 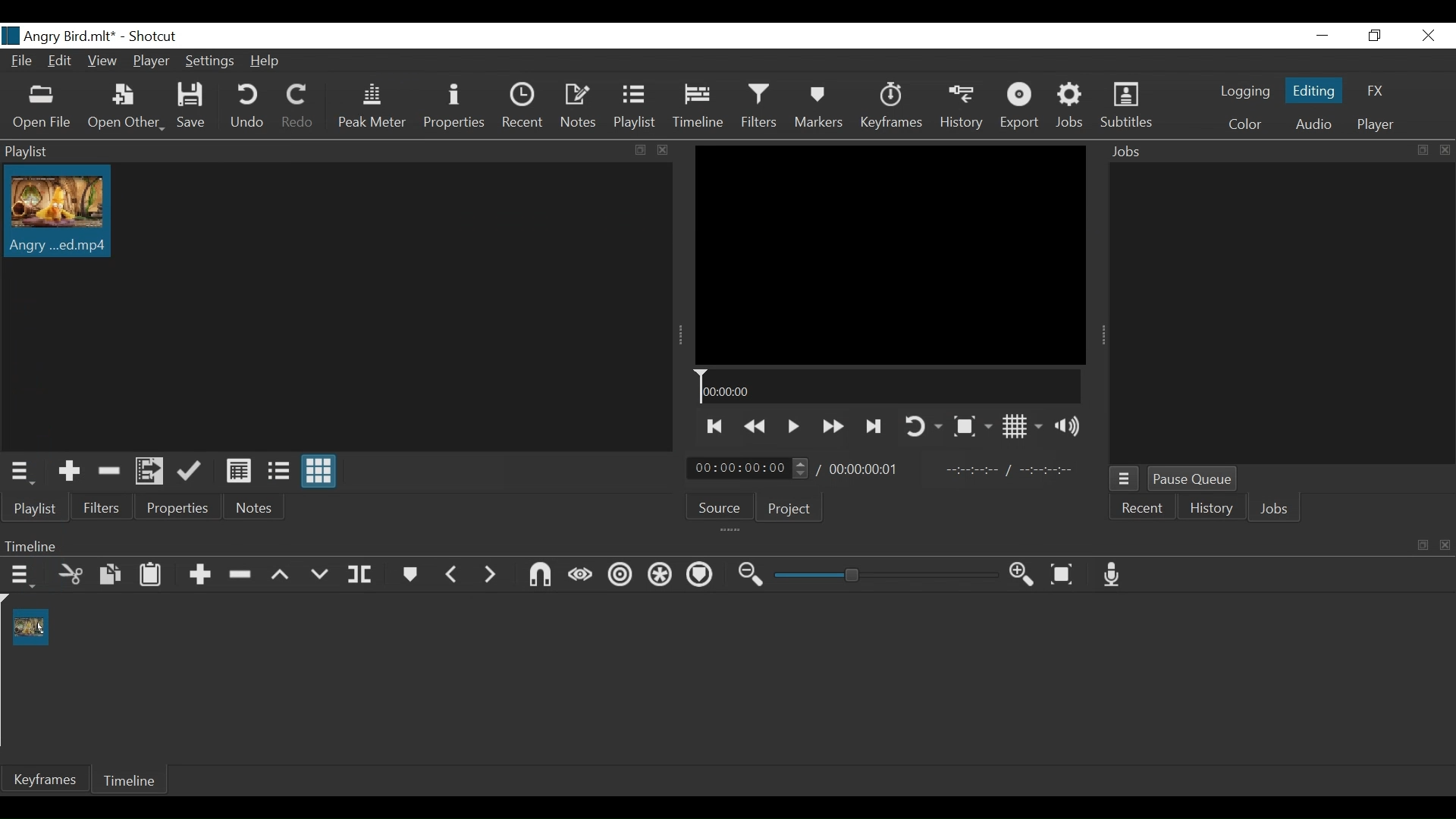 I want to click on Redo, so click(x=300, y=106).